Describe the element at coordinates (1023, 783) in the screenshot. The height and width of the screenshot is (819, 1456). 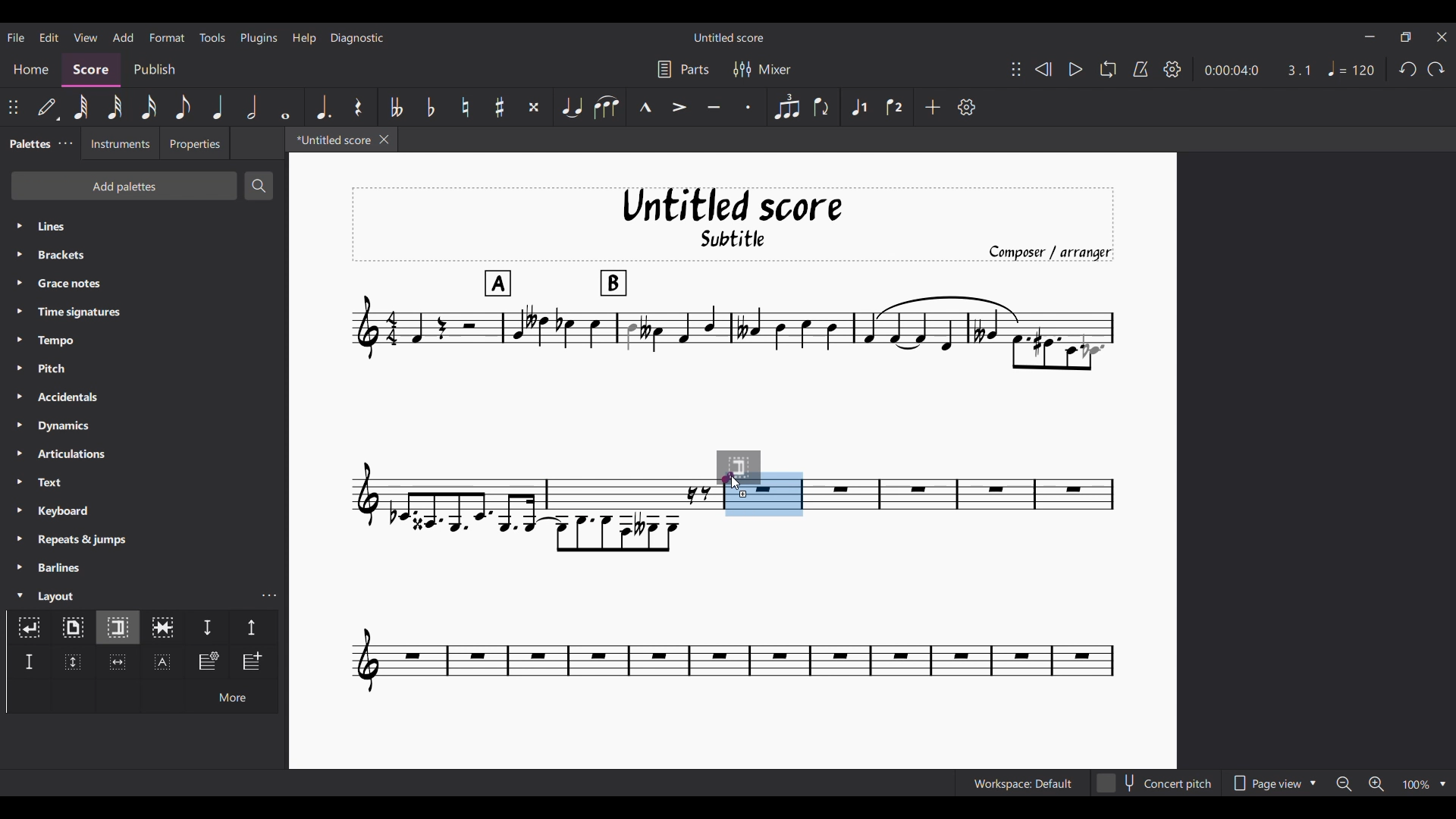
I see `Workspace: Default` at that location.